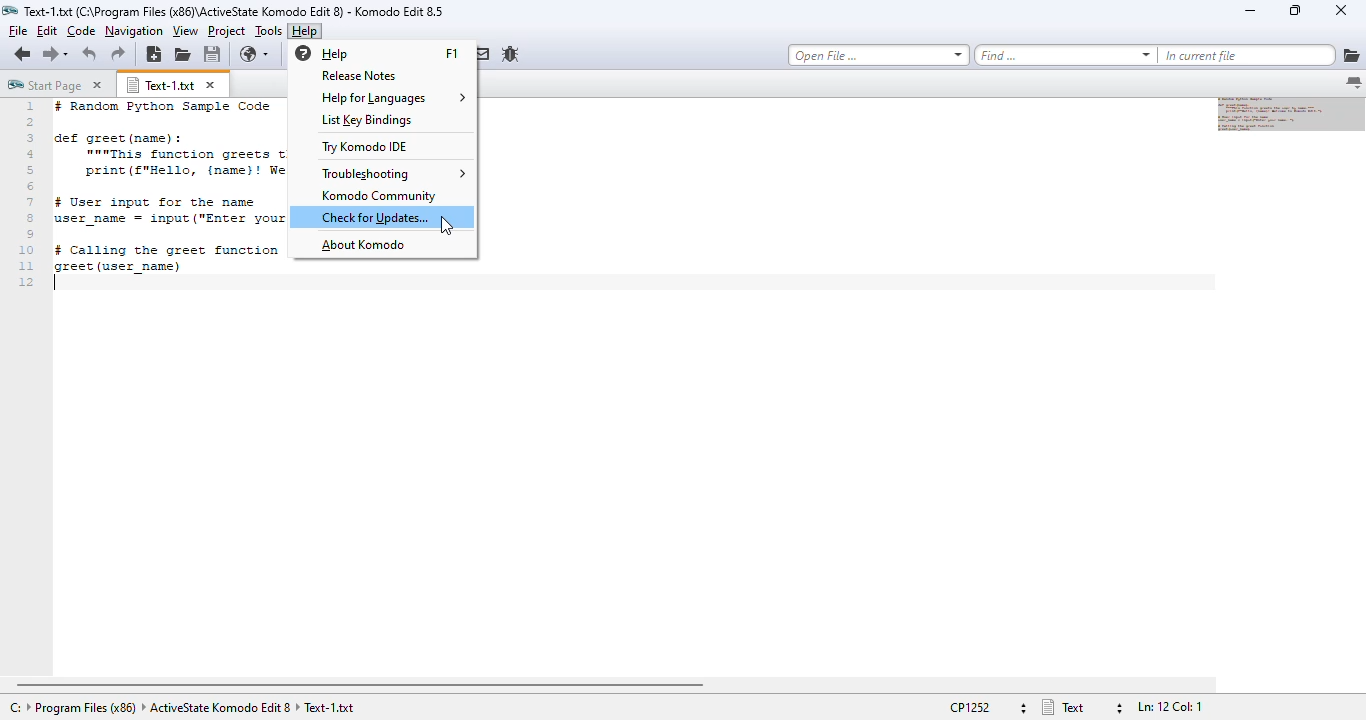 The image size is (1366, 720). Describe the element at coordinates (393, 98) in the screenshot. I see `help for languages` at that location.